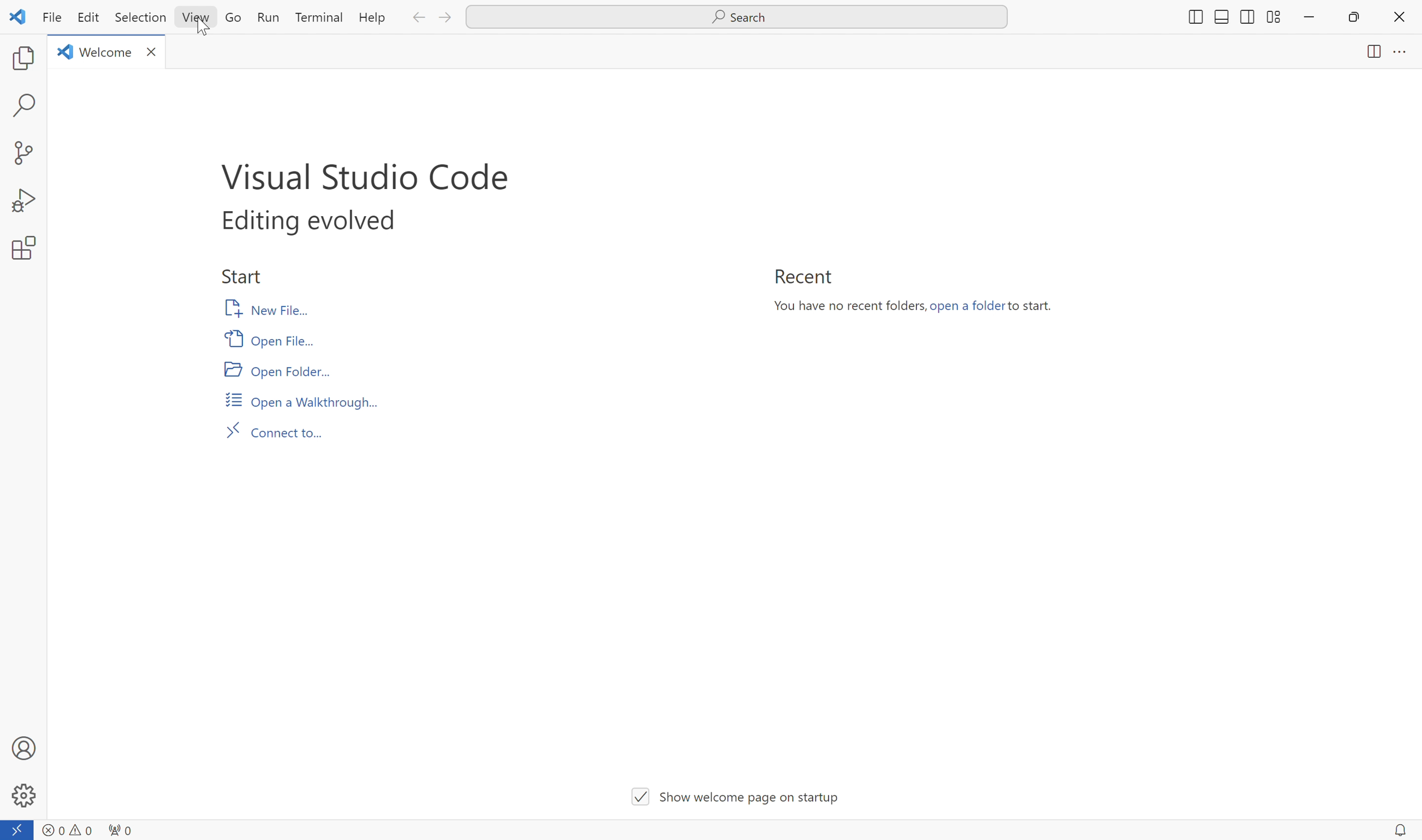 The width and height of the screenshot is (1422, 840). Describe the element at coordinates (143, 20) in the screenshot. I see `Selection` at that location.